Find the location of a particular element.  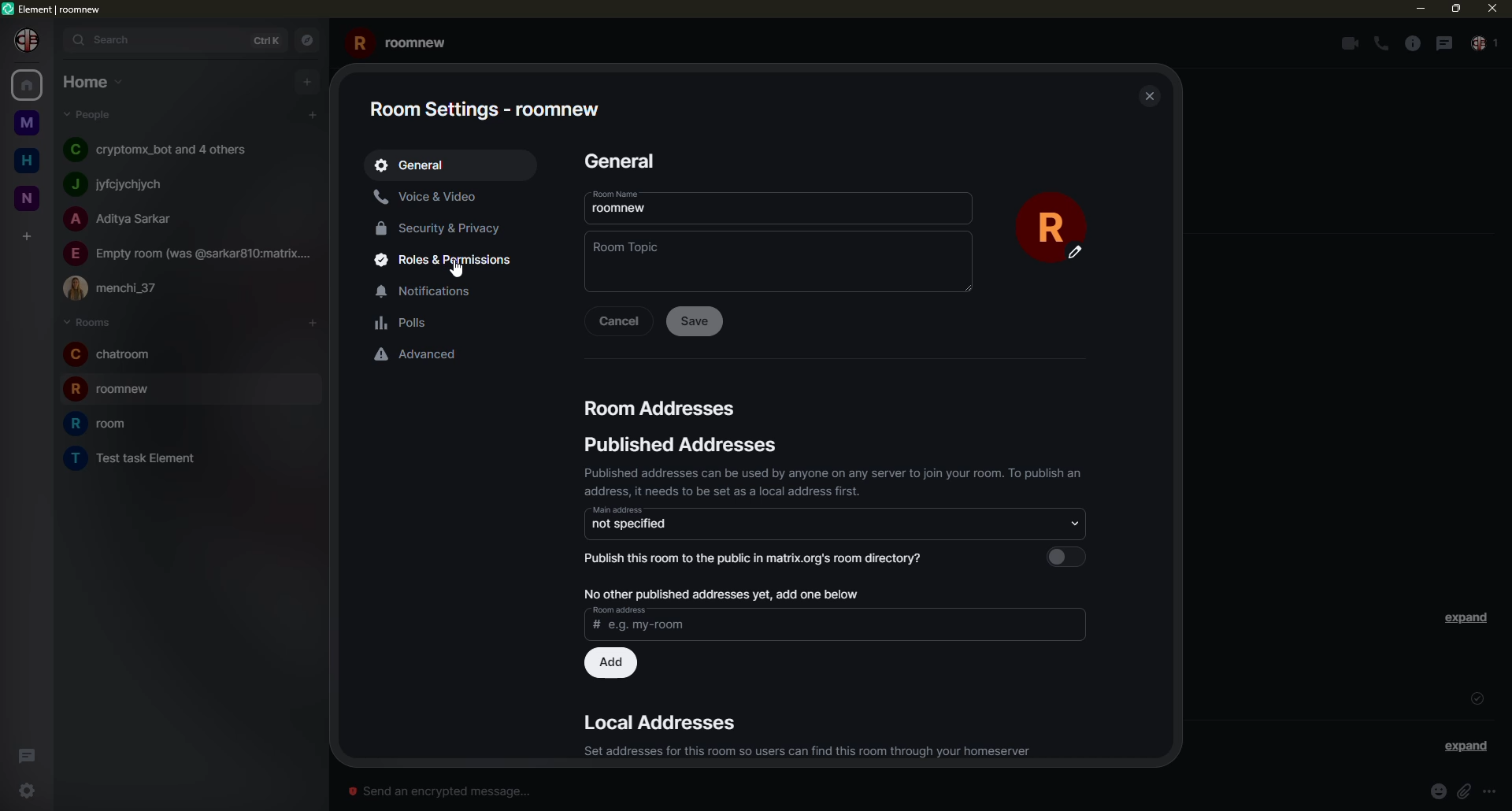

navigator is located at coordinates (309, 39).